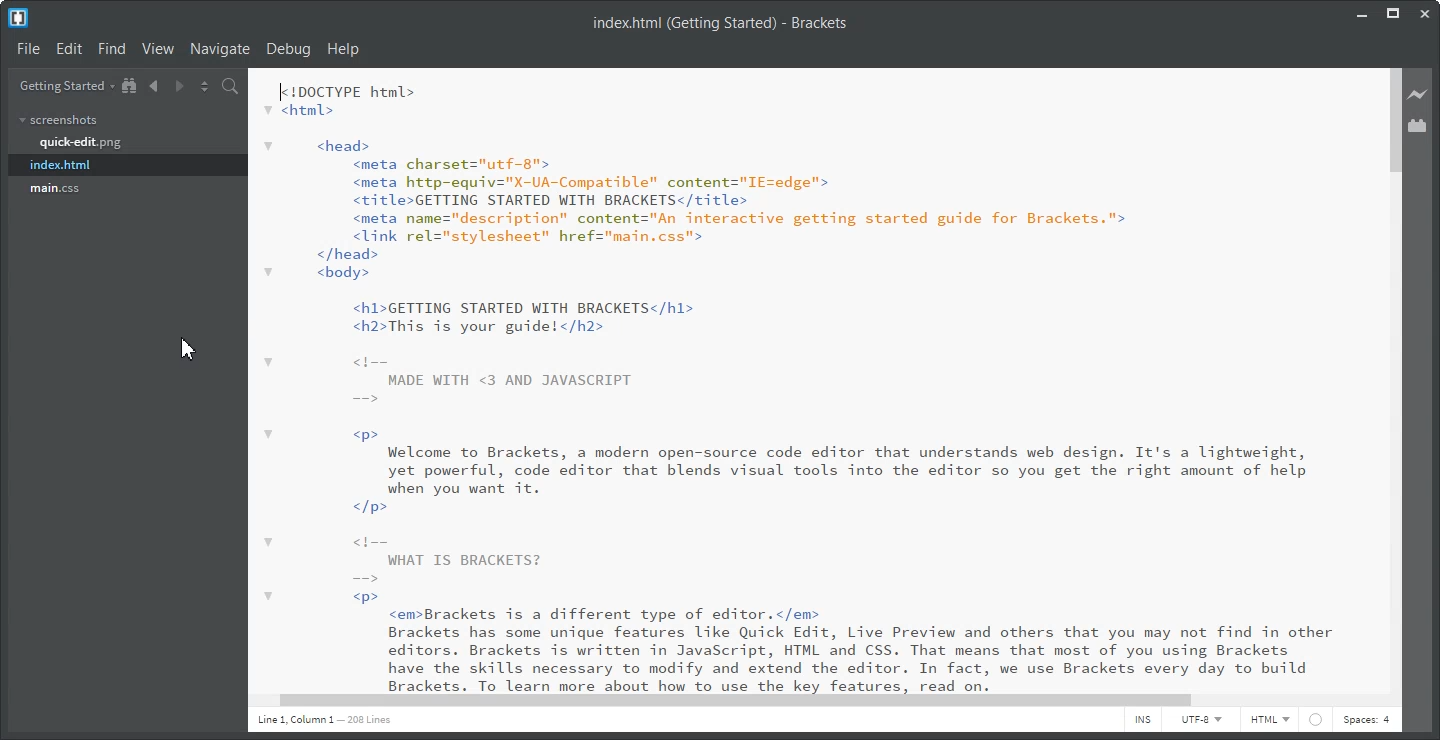 This screenshot has width=1440, height=740. I want to click on Live Preview, so click(1419, 95).